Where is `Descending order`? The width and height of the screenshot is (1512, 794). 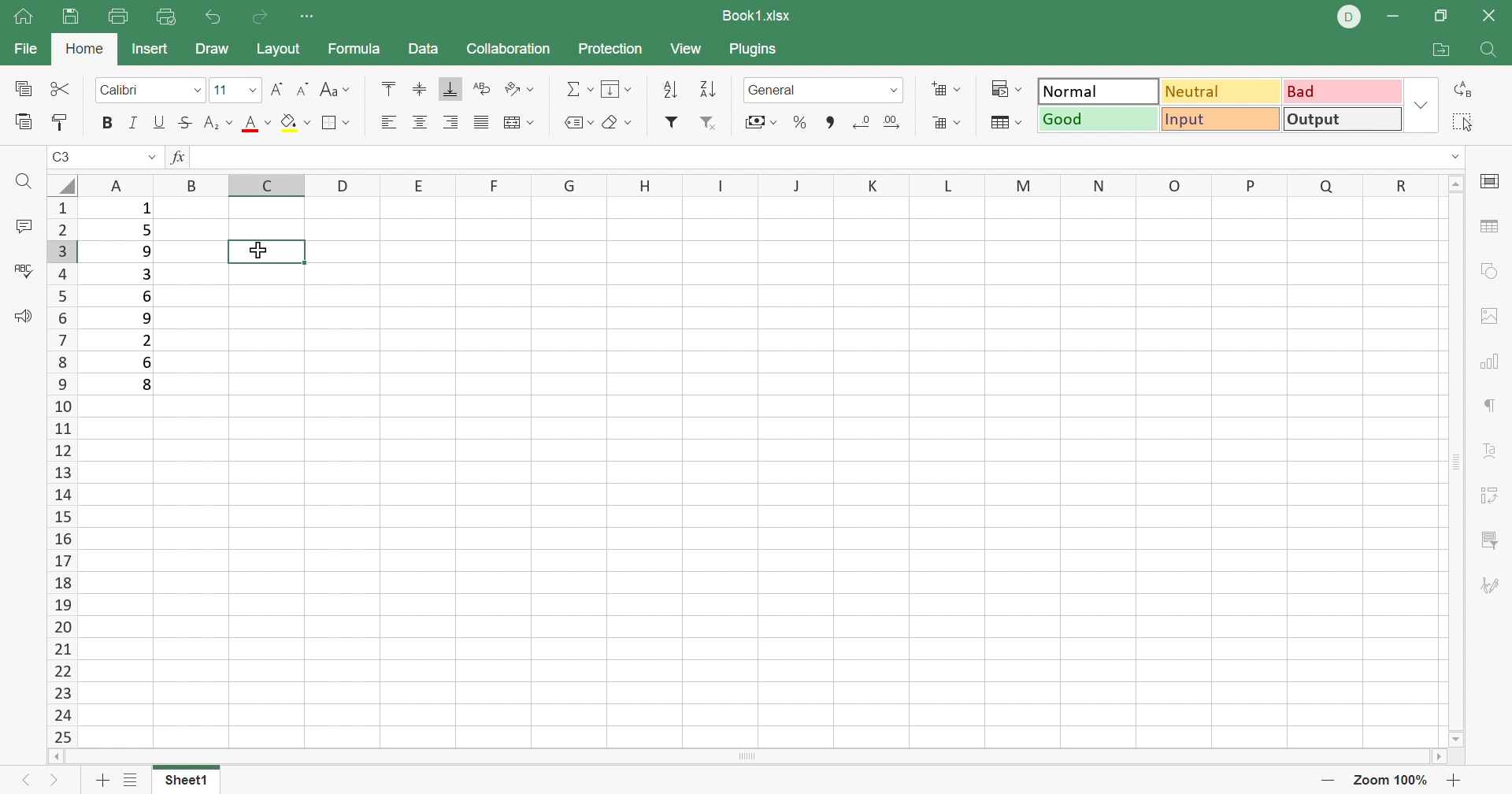 Descending order is located at coordinates (710, 90).